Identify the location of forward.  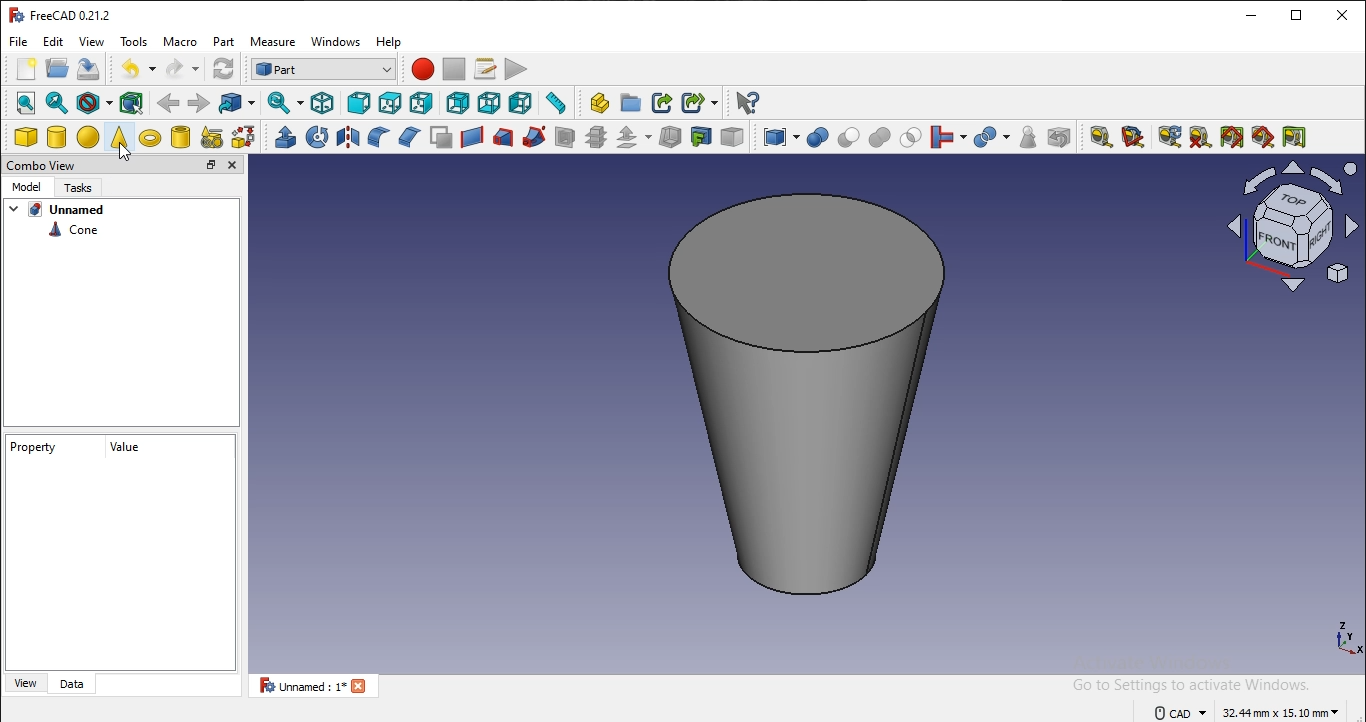
(200, 103).